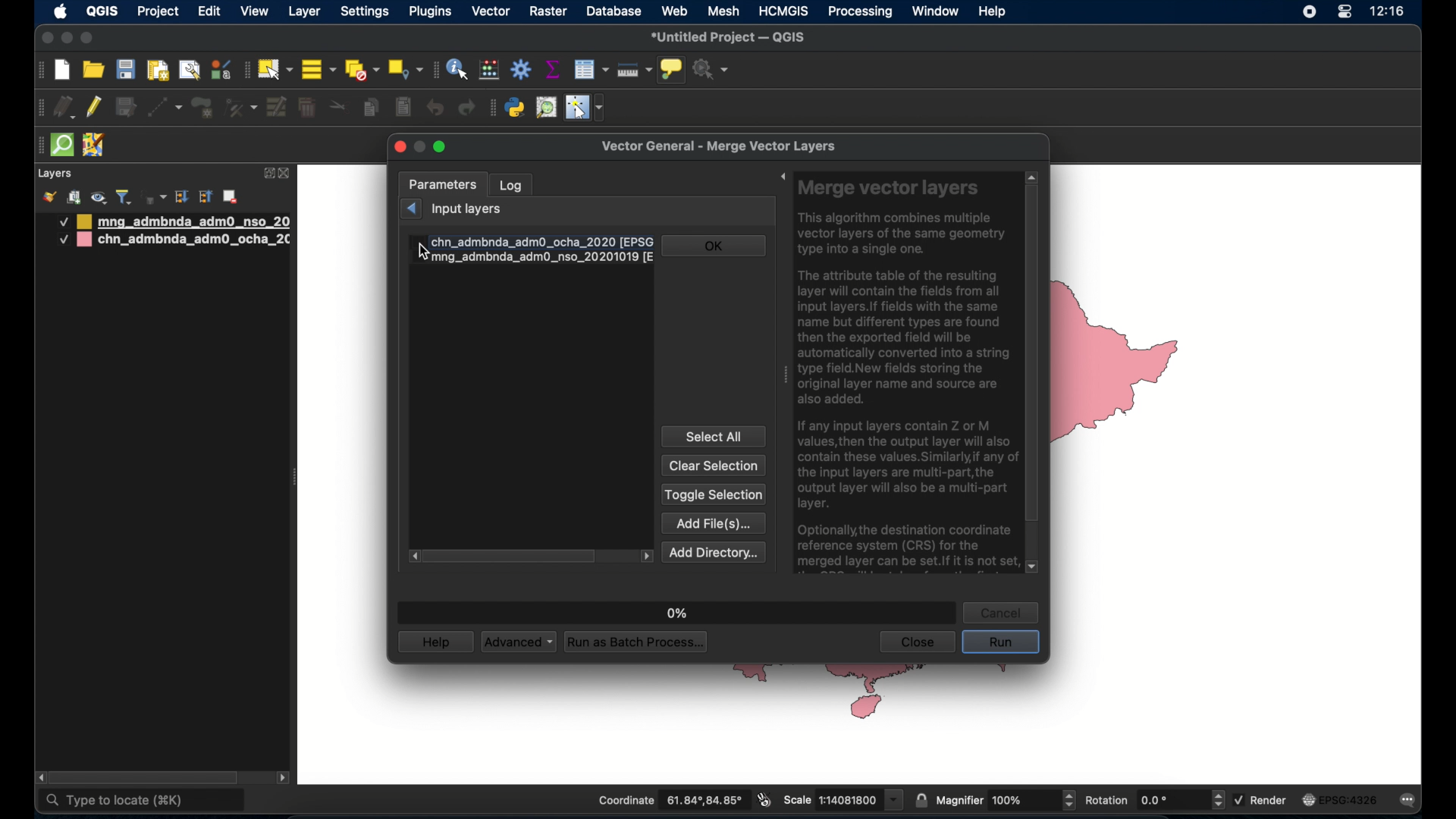  What do you see at coordinates (466, 108) in the screenshot?
I see `redo` at bounding box center [466, 108].